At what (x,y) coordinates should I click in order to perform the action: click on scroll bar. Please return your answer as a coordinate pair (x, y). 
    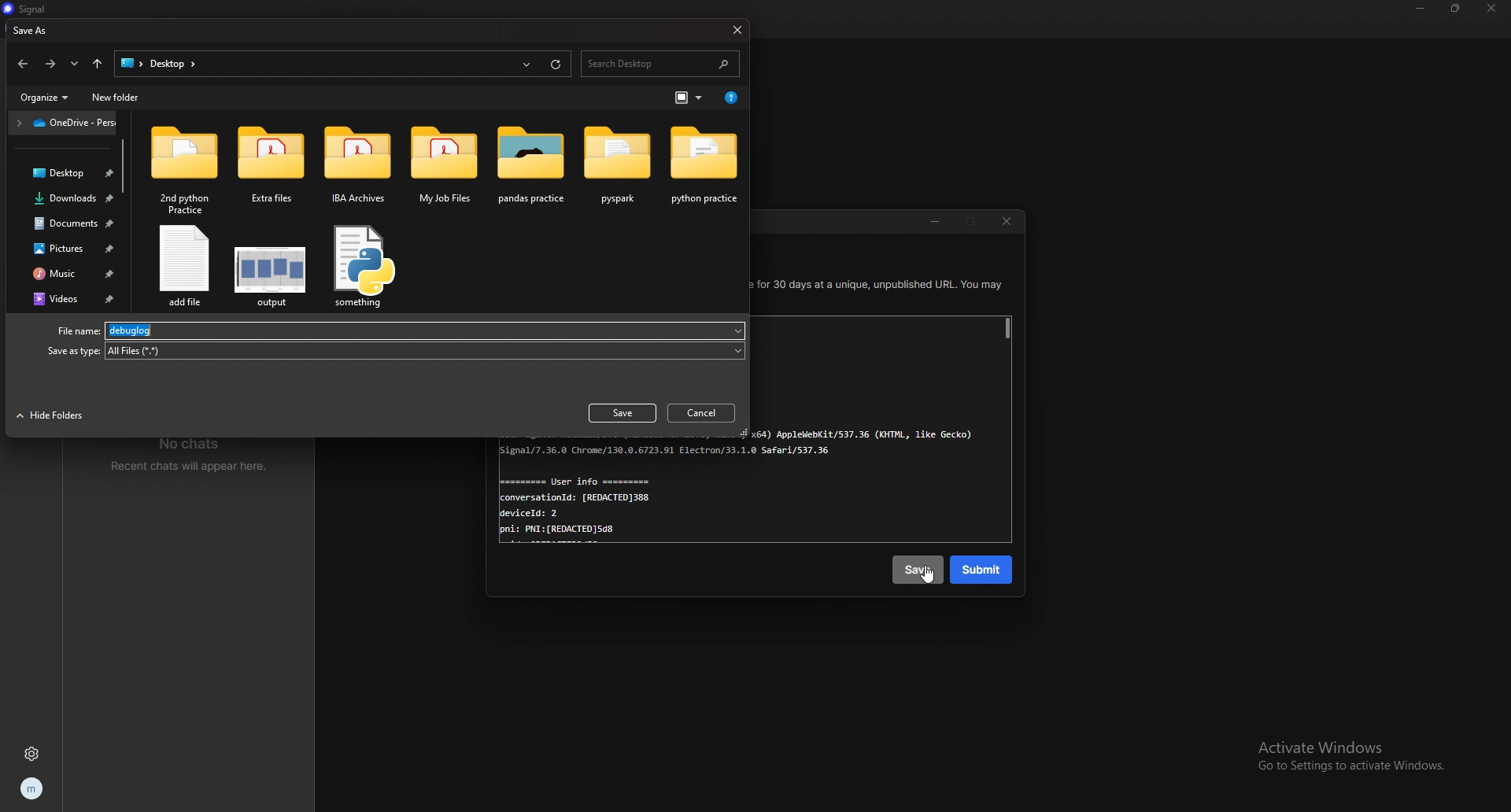
    Looking at the image, I should click on (1008, 330).